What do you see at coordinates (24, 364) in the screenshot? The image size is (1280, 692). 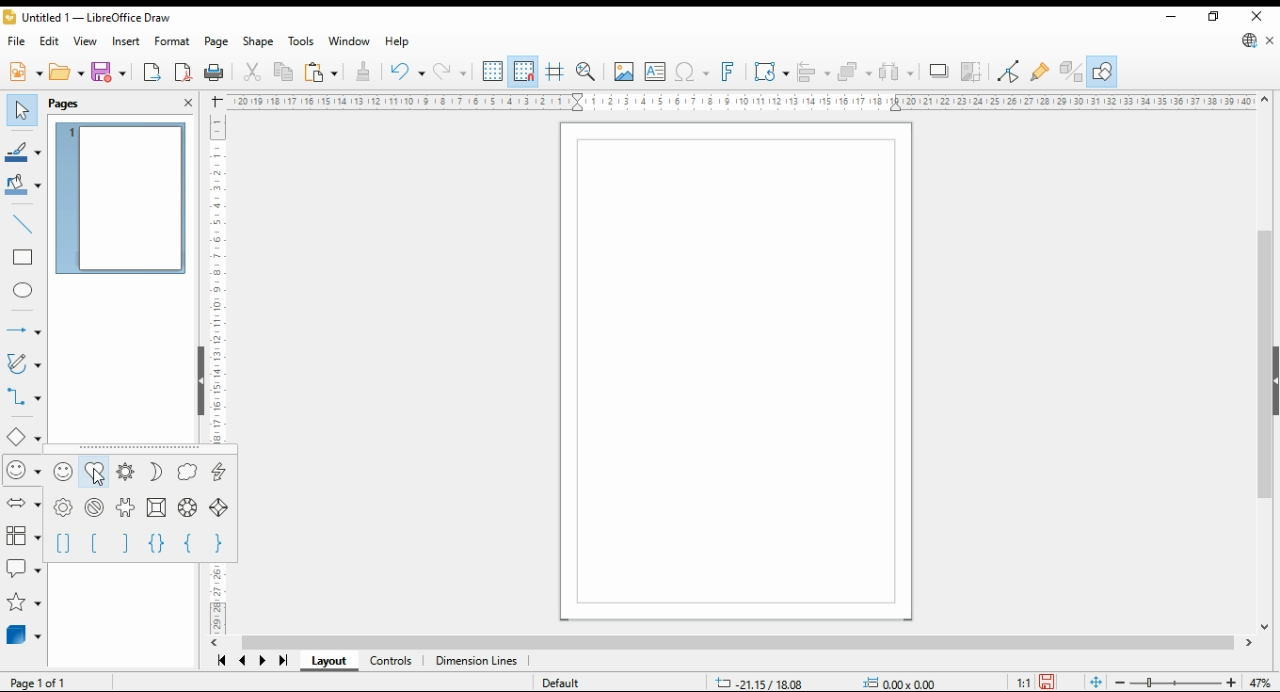 I see `curves and polygons` at bounding box center [24, 364].